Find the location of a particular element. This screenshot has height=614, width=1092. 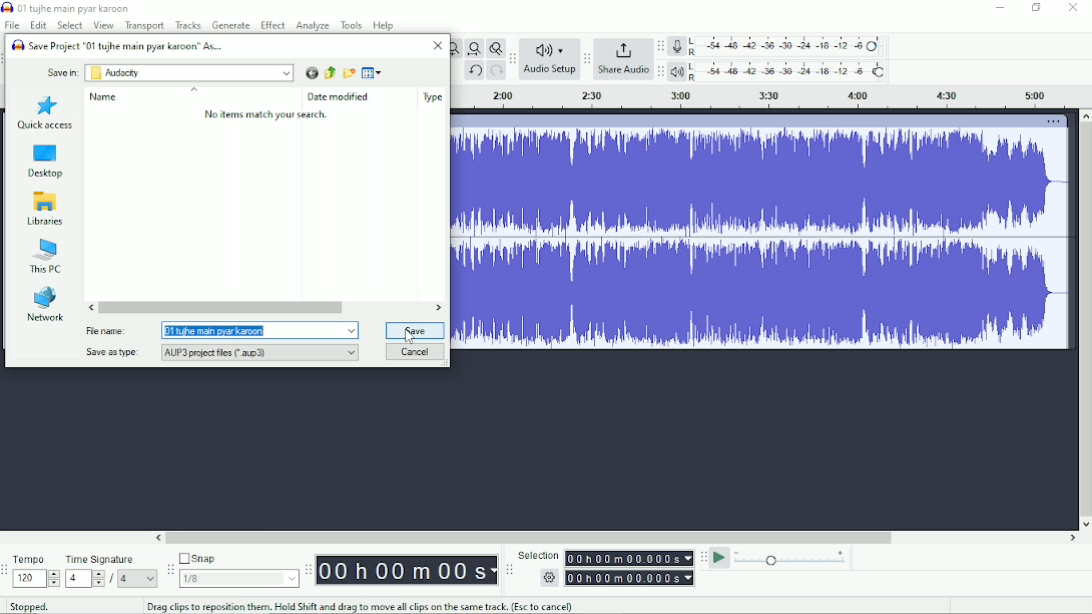

Audacity record meter toolbar is located at coordinates (660, 47).